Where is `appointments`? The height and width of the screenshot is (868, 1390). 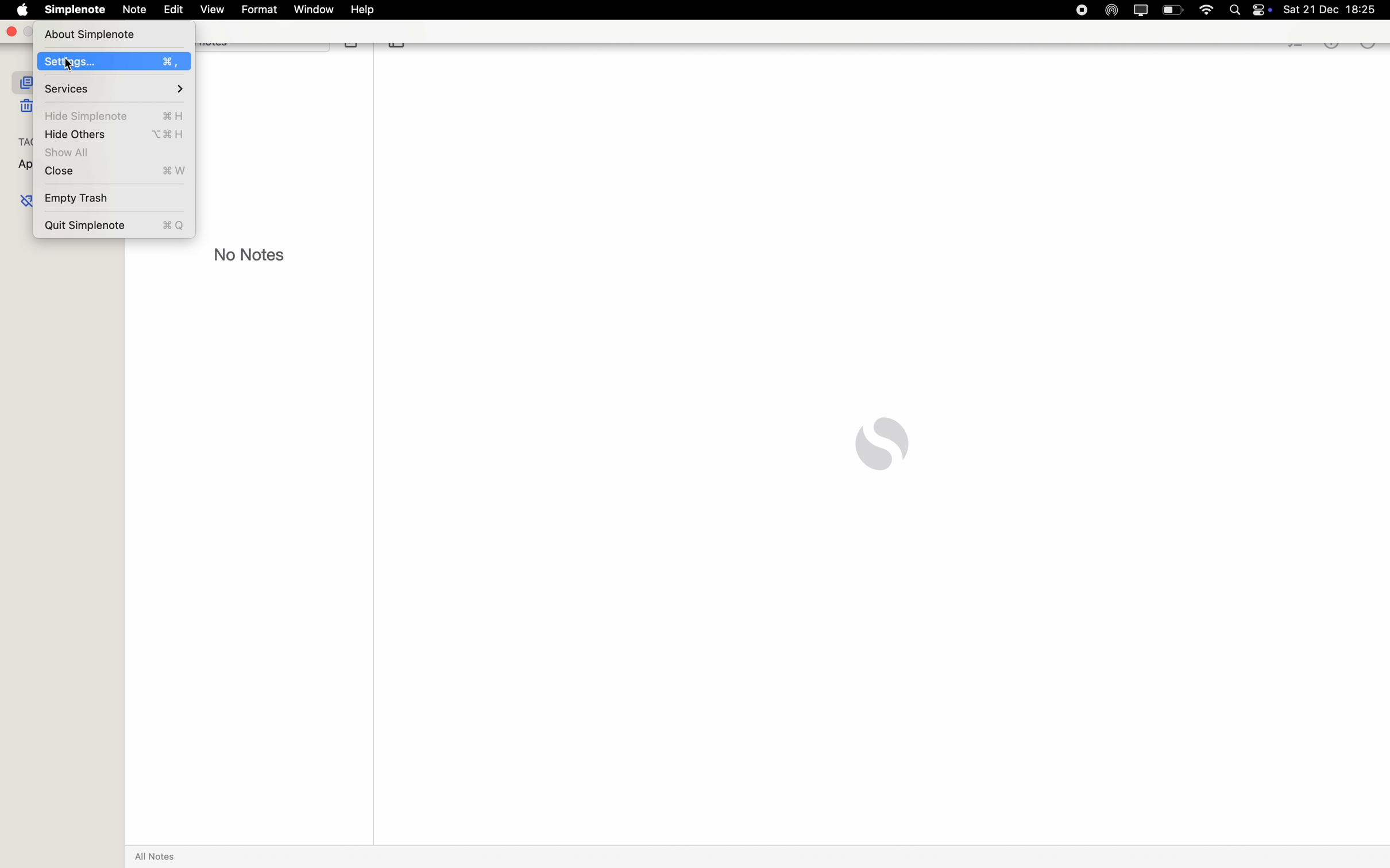
appointments is located at coordinates (22, 163).